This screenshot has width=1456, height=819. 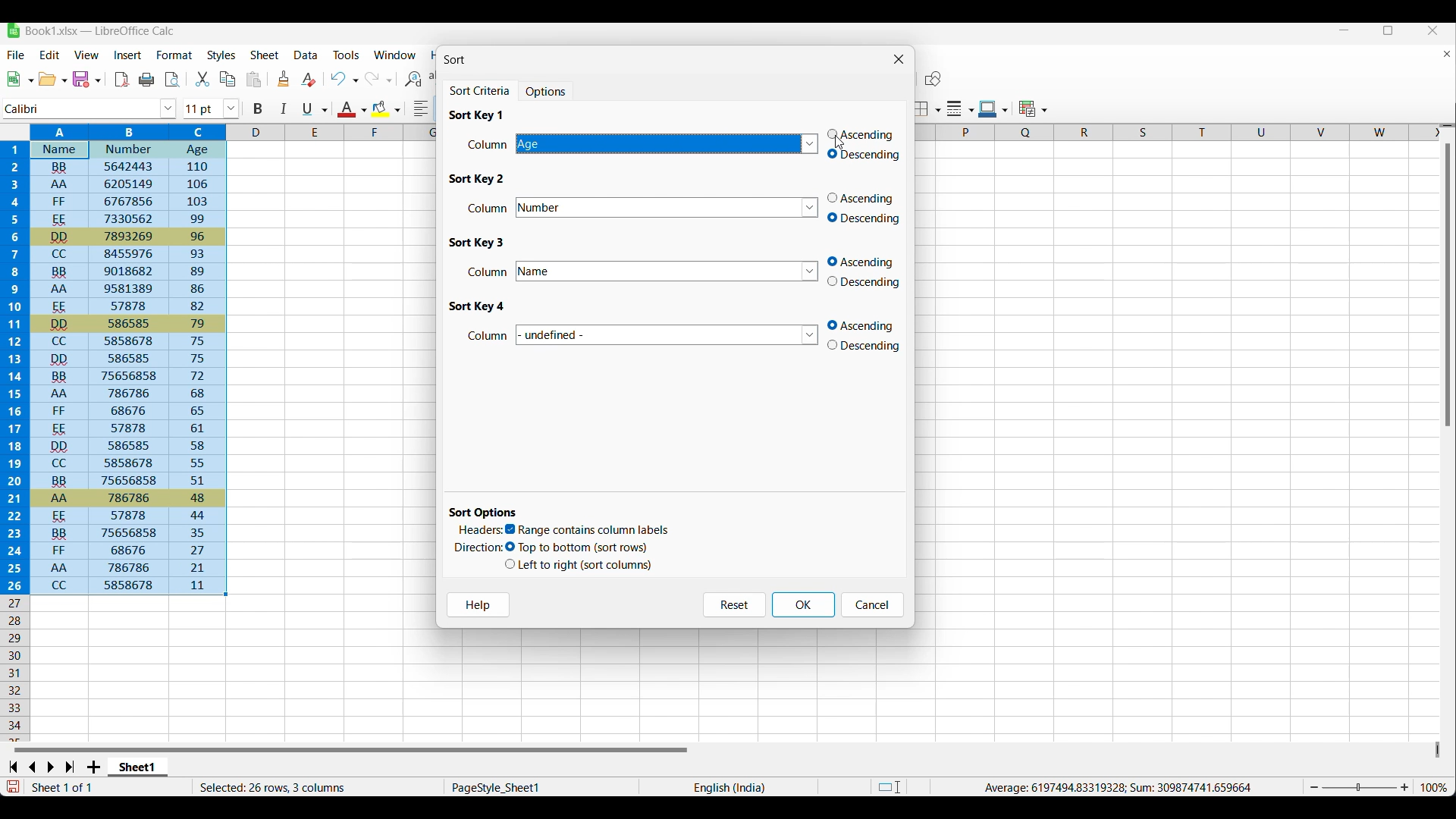 I want to click on Copy, so click(x=227, y=79).